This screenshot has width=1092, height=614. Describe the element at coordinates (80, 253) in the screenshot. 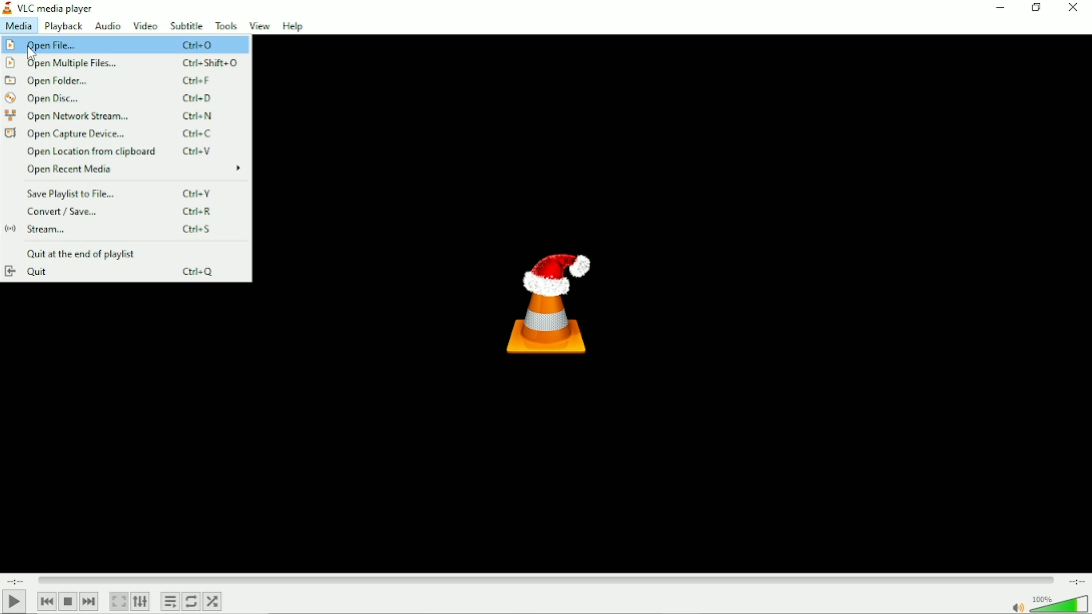

I see `Quit at the end of playlist` at that location.